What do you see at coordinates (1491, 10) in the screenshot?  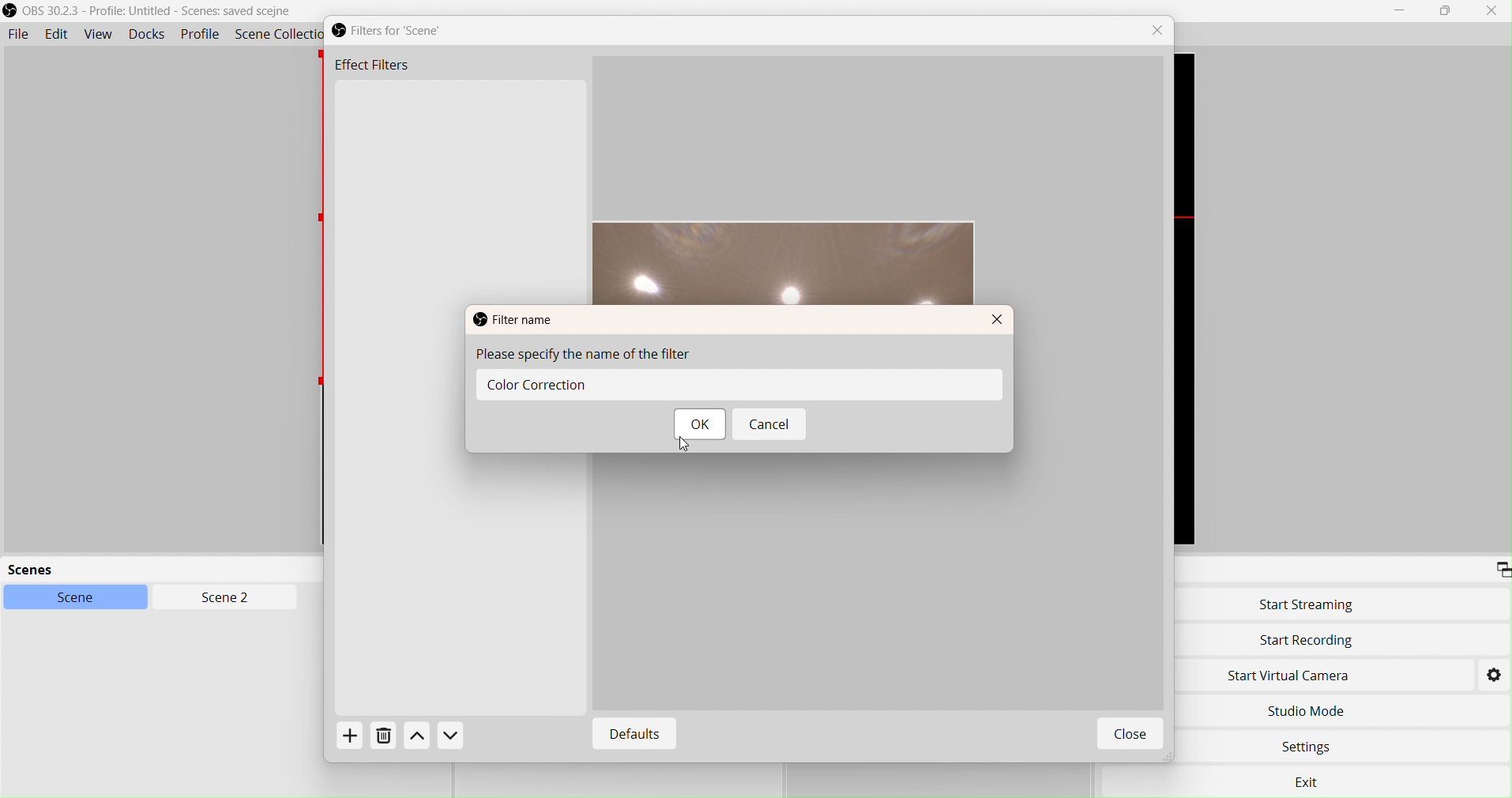 I see `Close` at bounding box center [1491, 10].